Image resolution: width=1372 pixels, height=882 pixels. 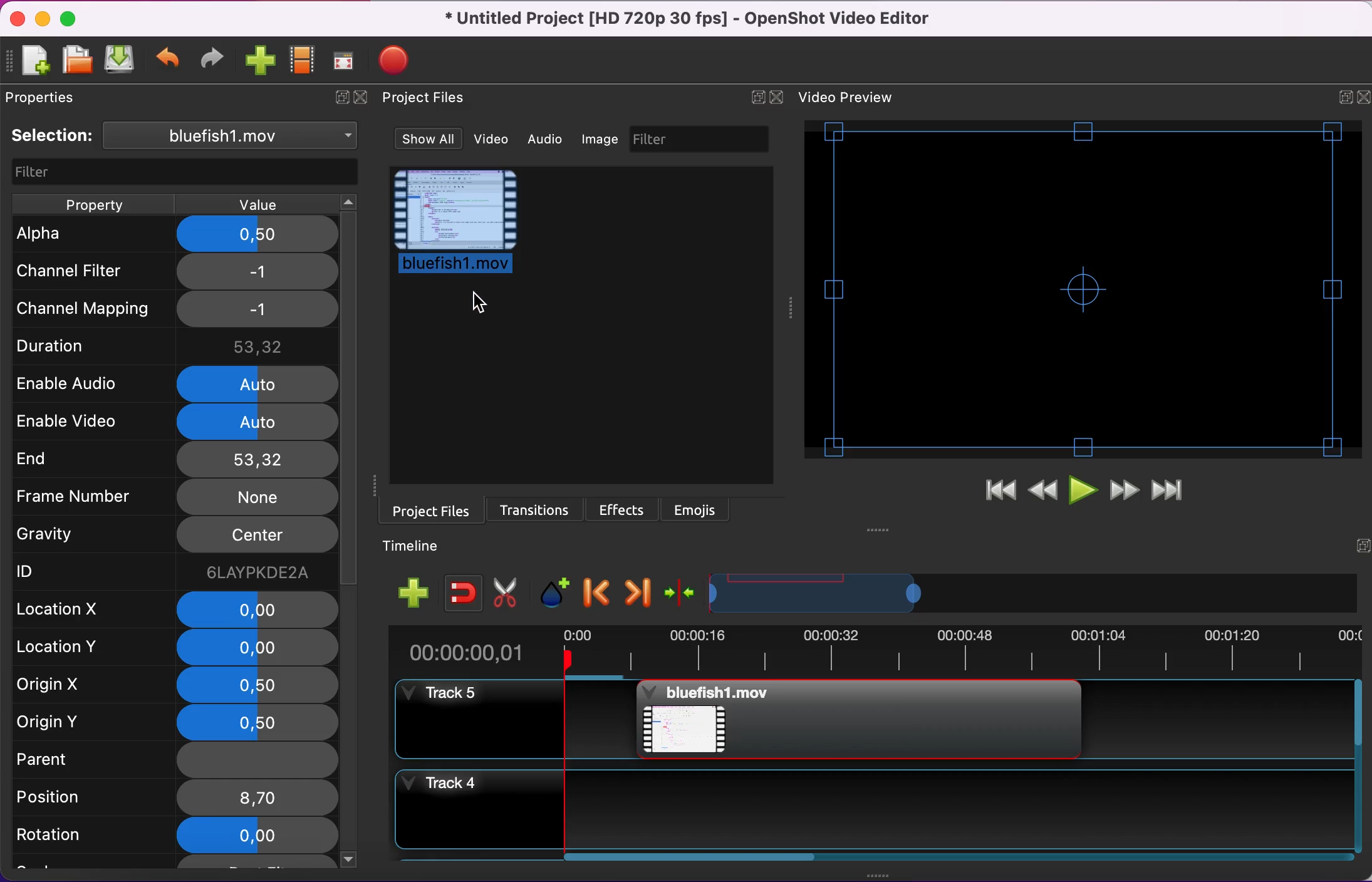 What do you see at coordinates (33, 64) in the screenshot?
I see `new project` at bounding box center [33, 64].